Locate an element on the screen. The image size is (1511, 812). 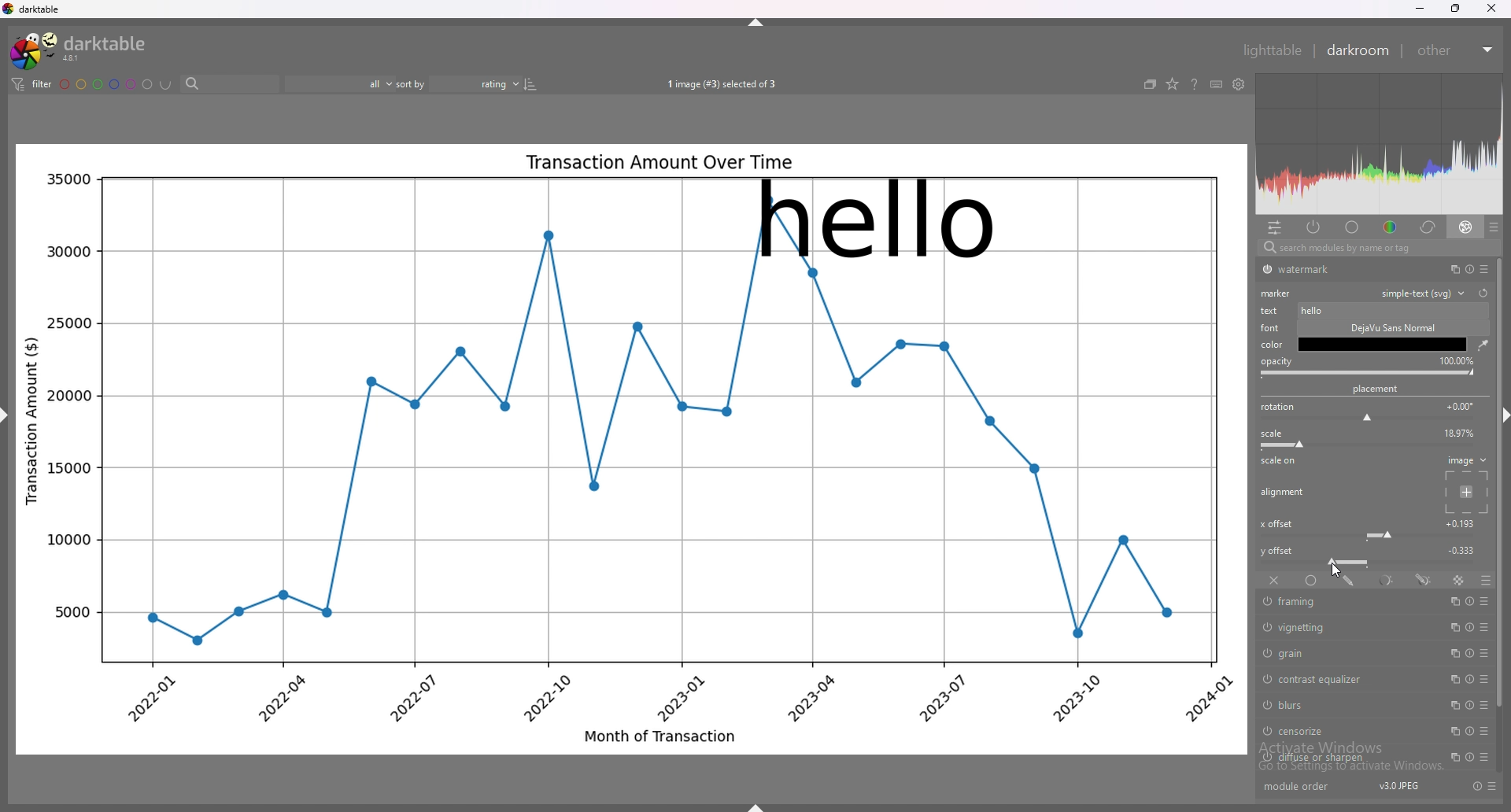
graph is located at coordinates (634, 508).